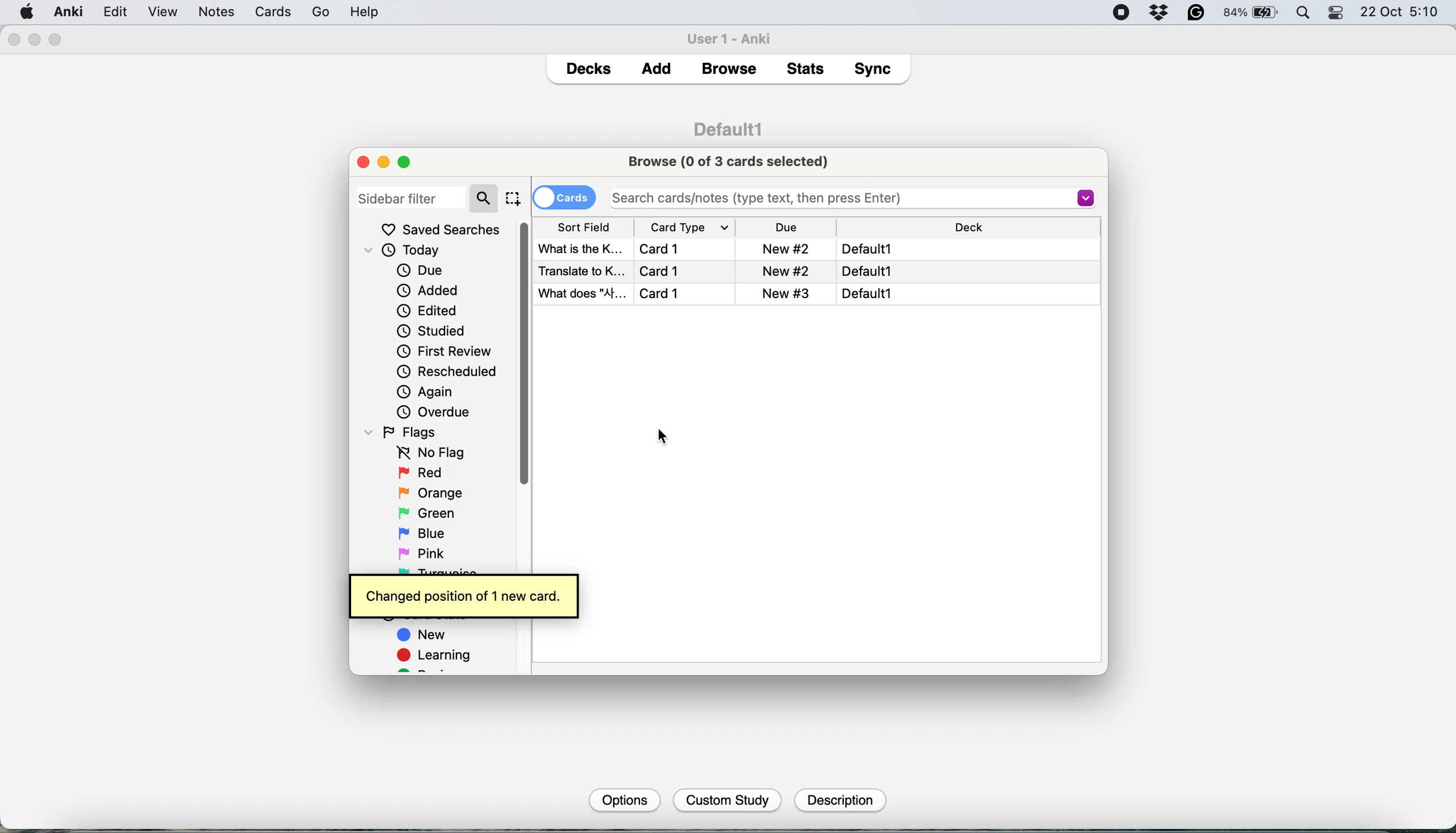 The width and height of the screenshot is (1456, 833). Describe the element at coordinates (735, 37) in the screenshot. I see `user 1 - Anki` at that location.